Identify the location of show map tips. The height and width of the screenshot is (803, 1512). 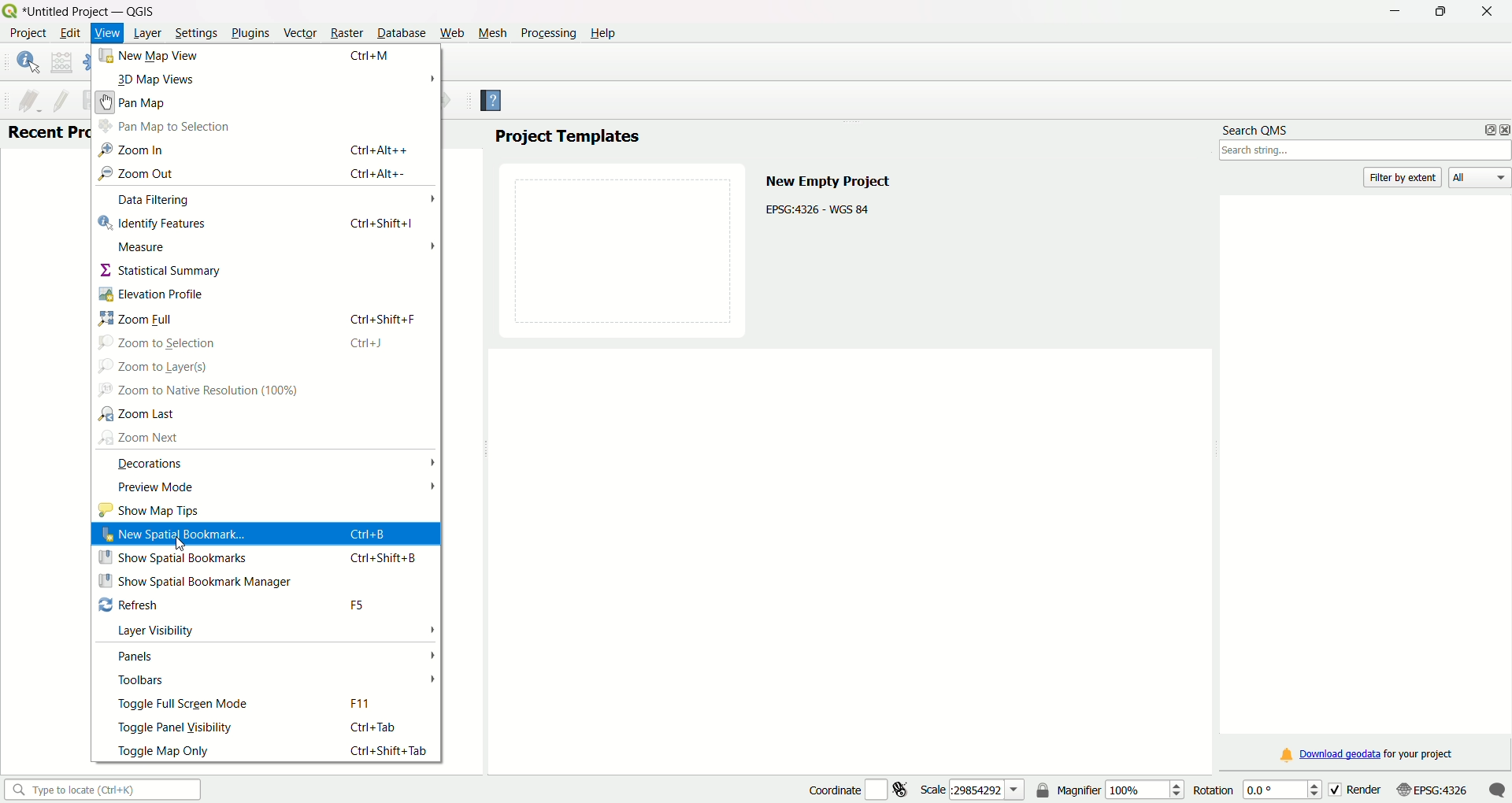
(147, 510).